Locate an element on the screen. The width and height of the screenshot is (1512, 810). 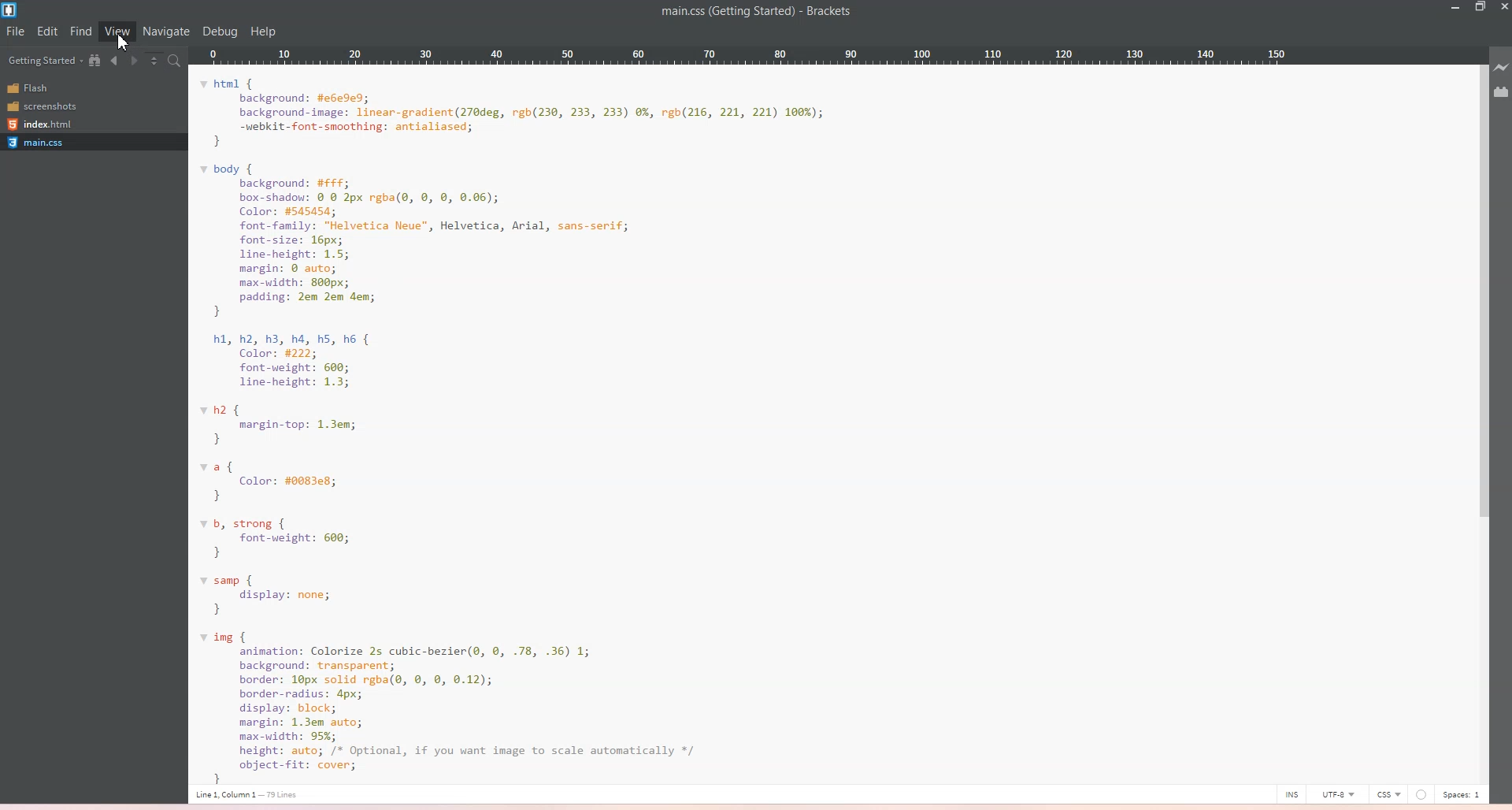
Show in the File Tree is located at coordinates (98, 60).